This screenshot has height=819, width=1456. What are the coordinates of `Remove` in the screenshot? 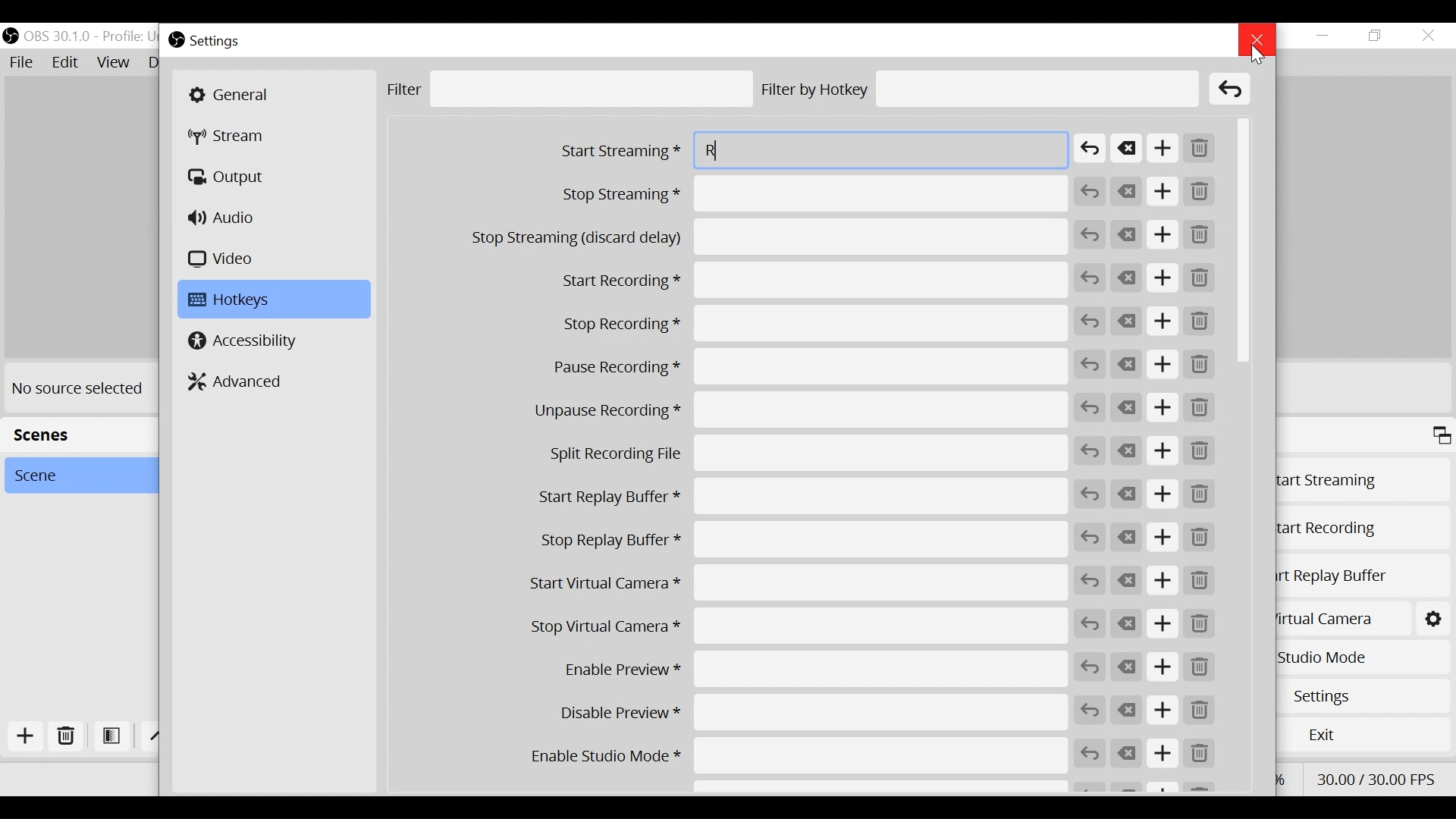 It's located at (1199, 192).